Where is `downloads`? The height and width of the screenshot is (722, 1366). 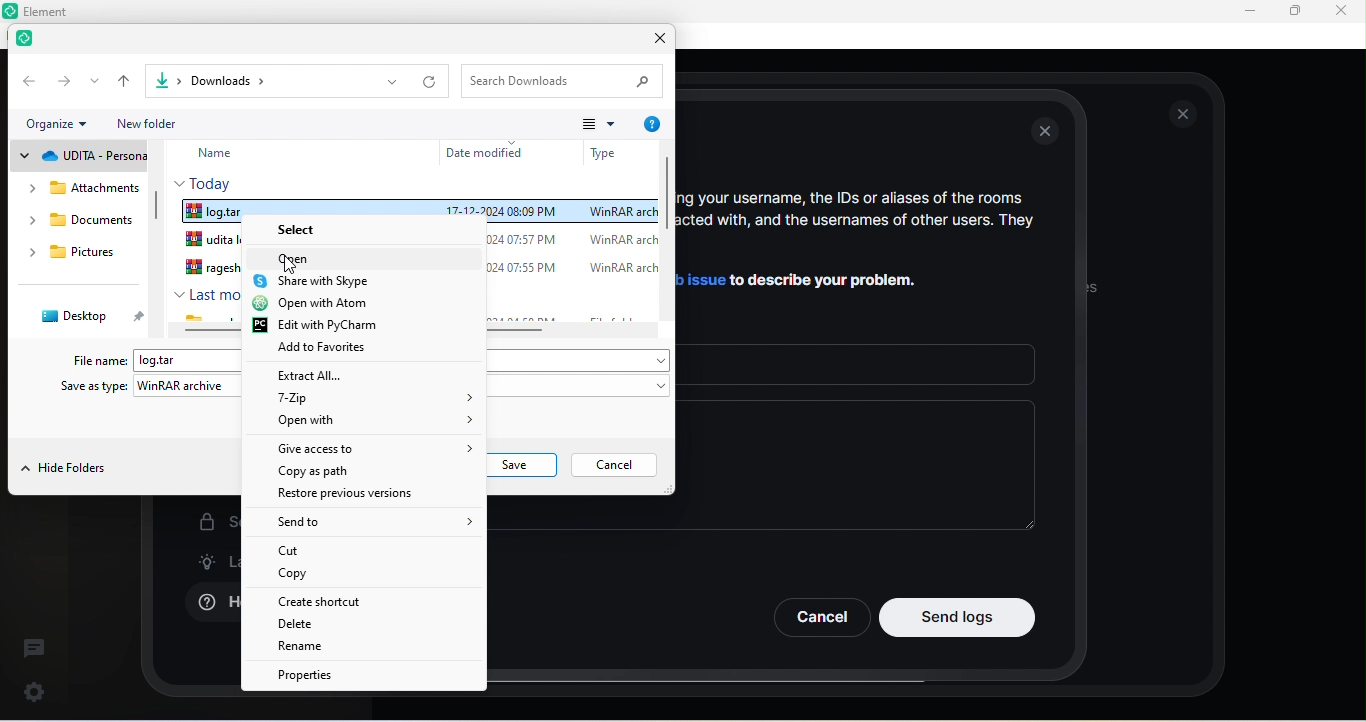
downloads is located at coordinates (82, 224).